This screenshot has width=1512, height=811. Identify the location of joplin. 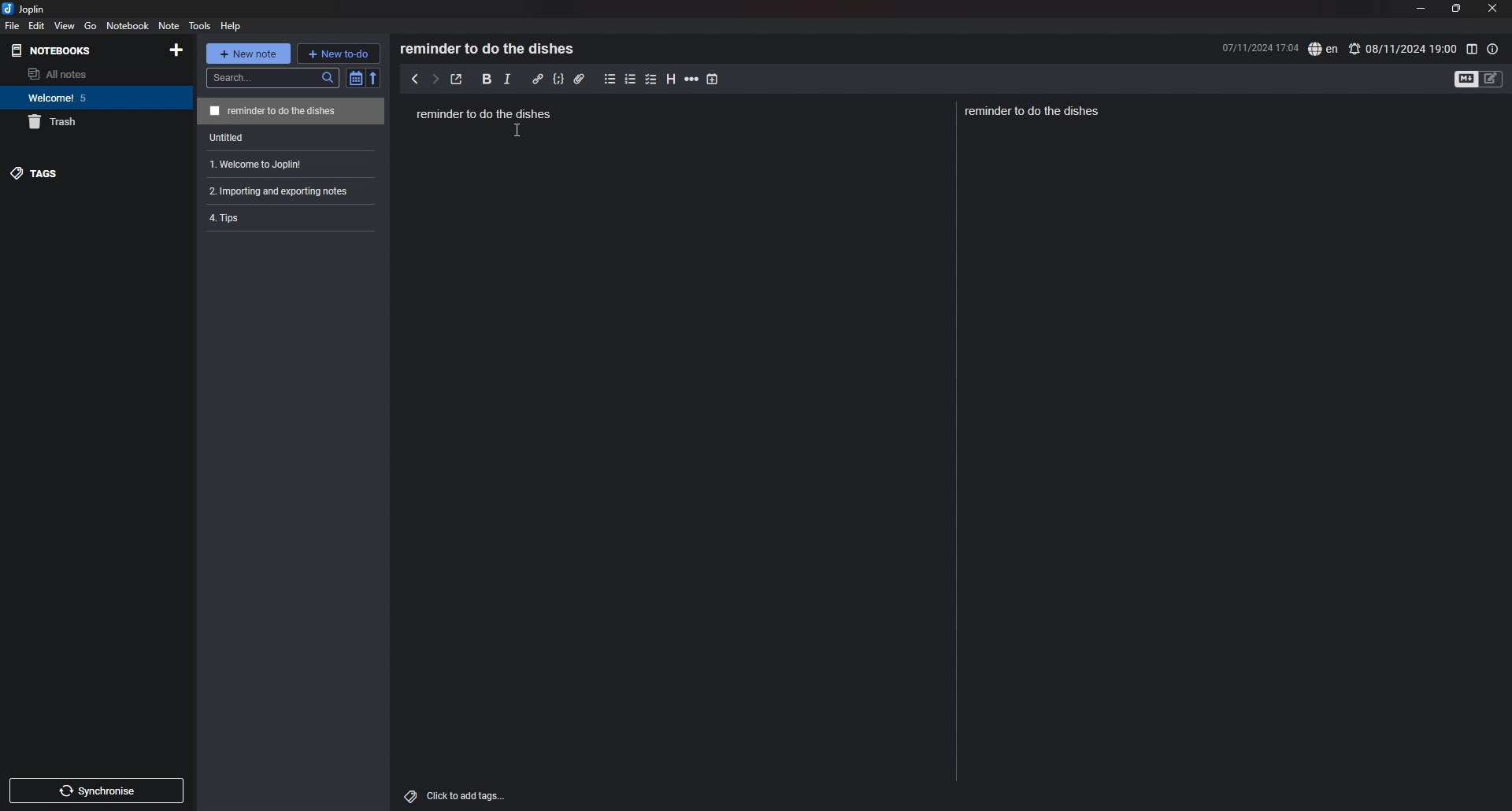
(31, 9).